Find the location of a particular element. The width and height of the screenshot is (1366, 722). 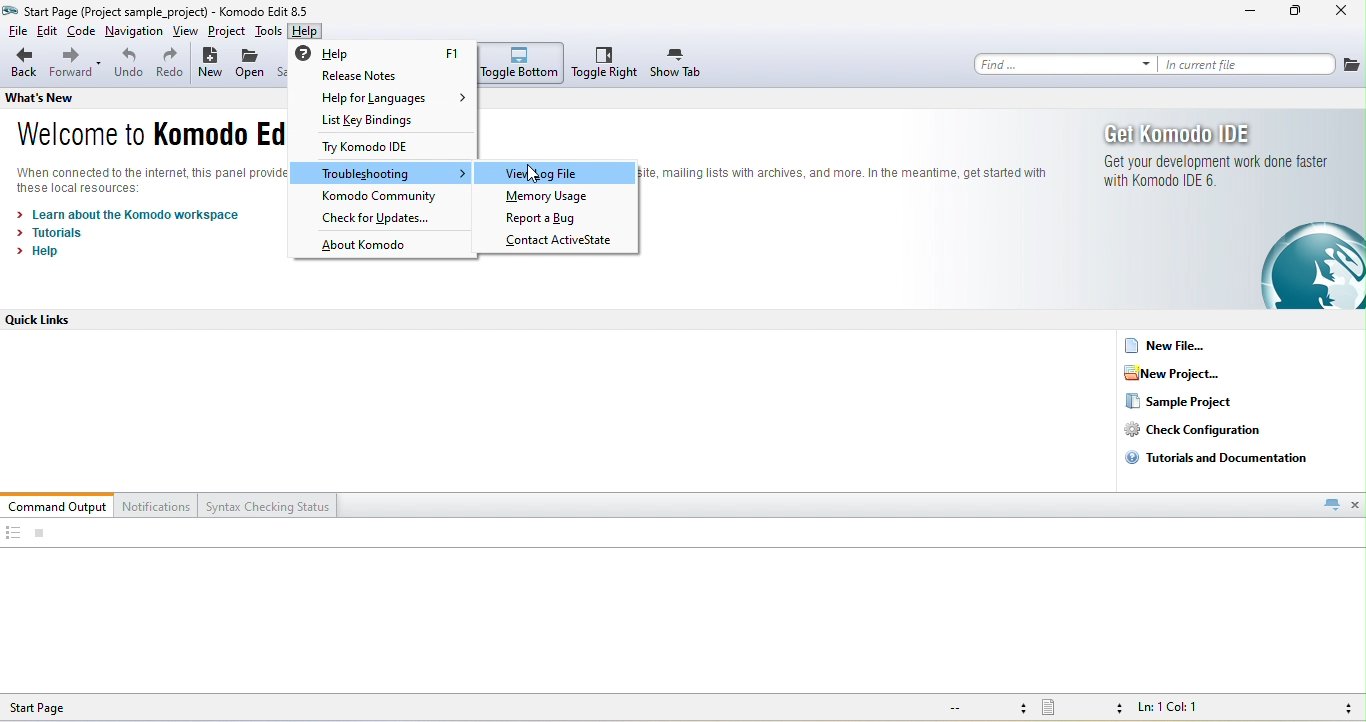

close is located at coordinates (1356, 504).